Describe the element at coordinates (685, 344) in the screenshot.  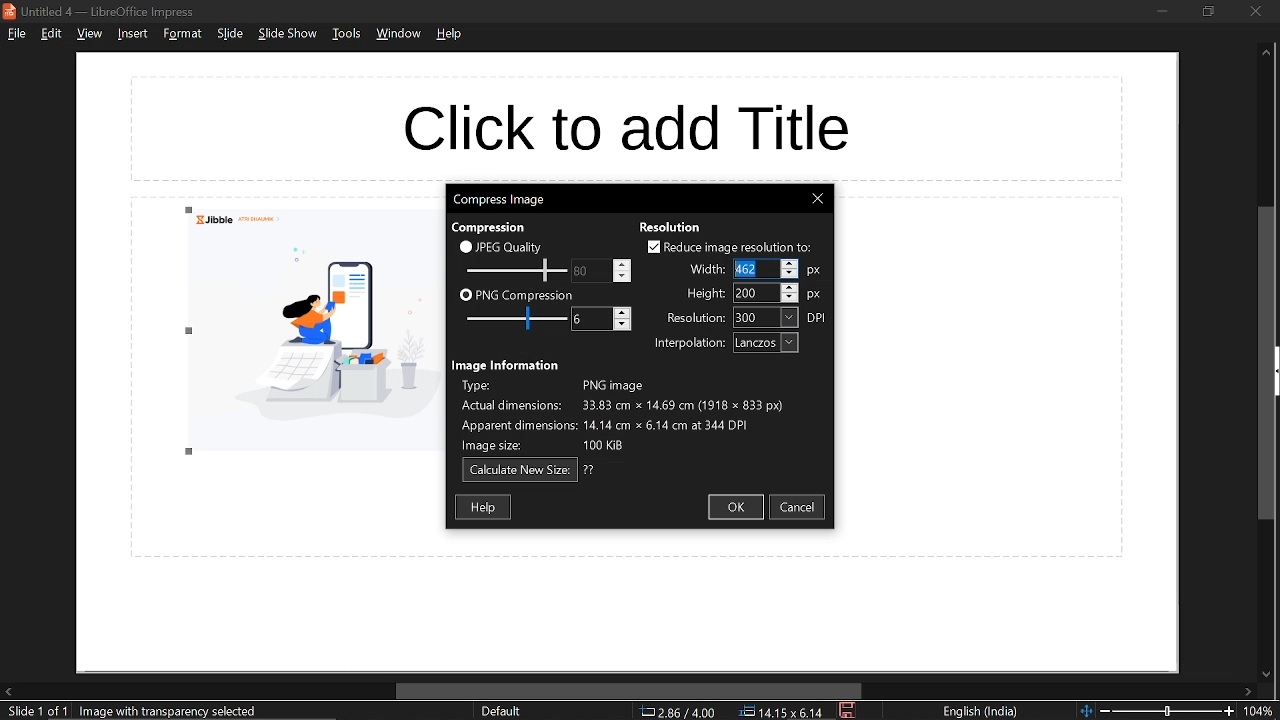
I see `interpolation` at that location.